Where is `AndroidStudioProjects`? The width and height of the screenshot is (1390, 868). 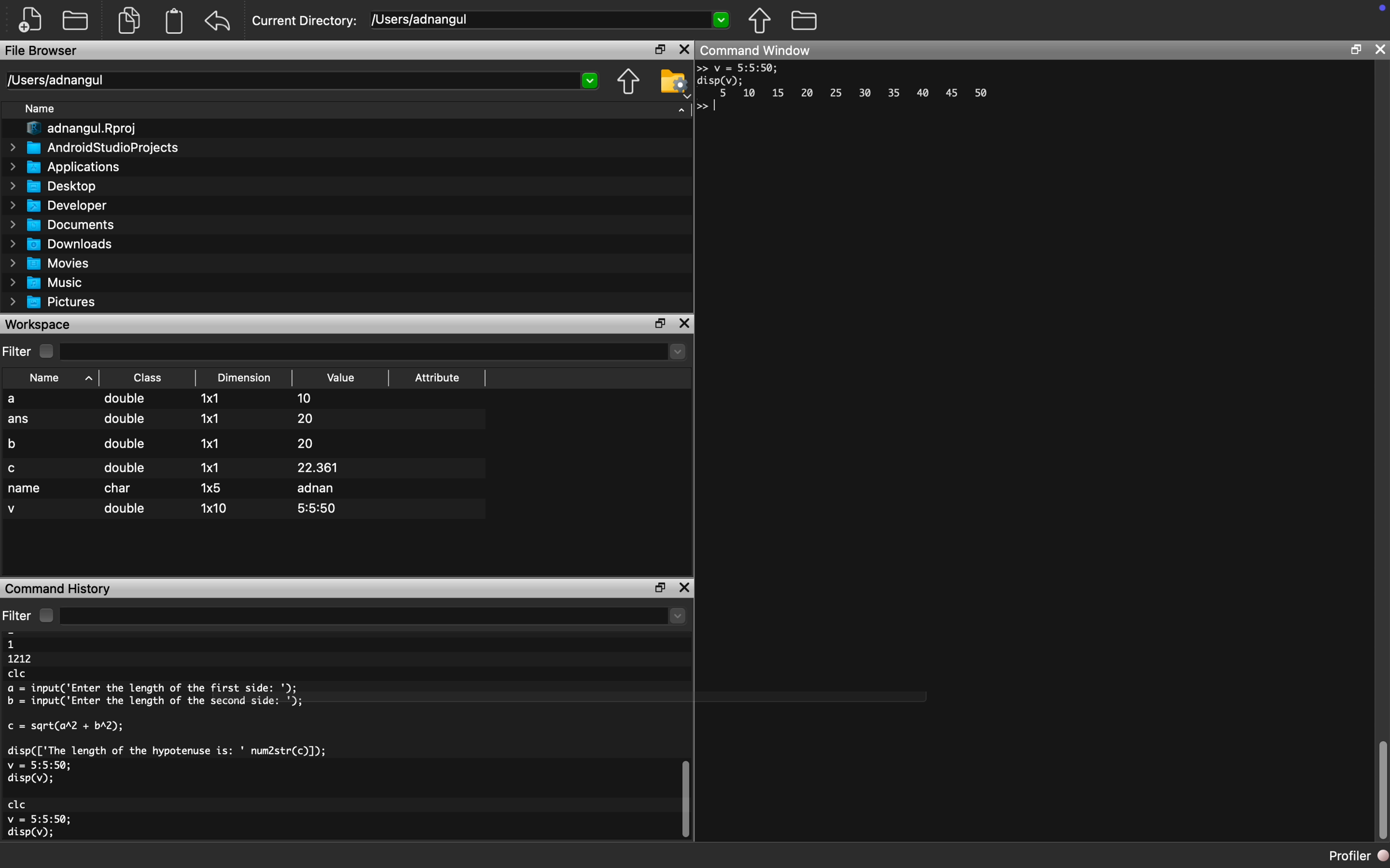
AndroidStudioProjects is located at coordinates (95, 148).